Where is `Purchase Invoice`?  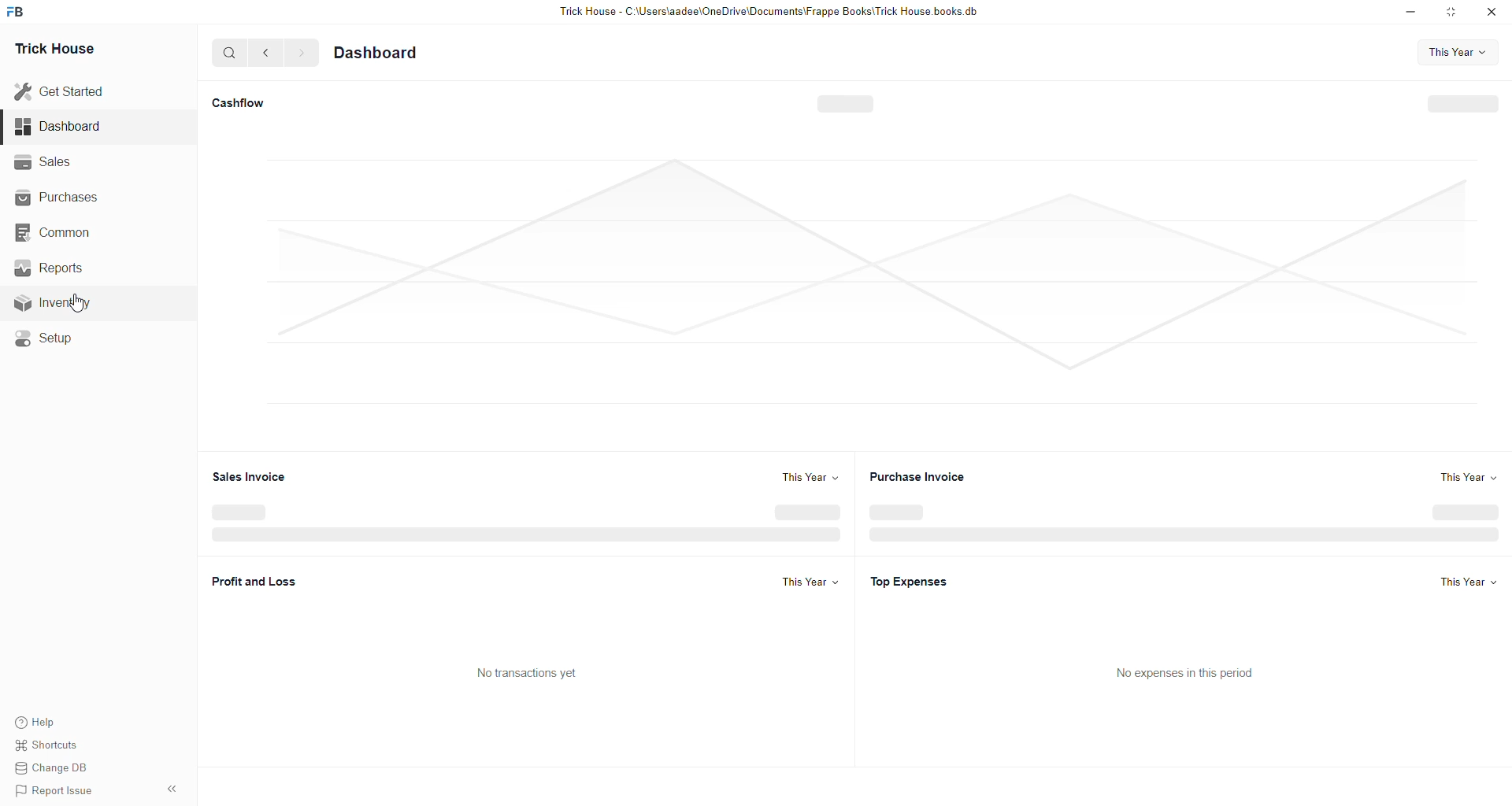 Purchase Invoice is located at coordinates (928, 479).